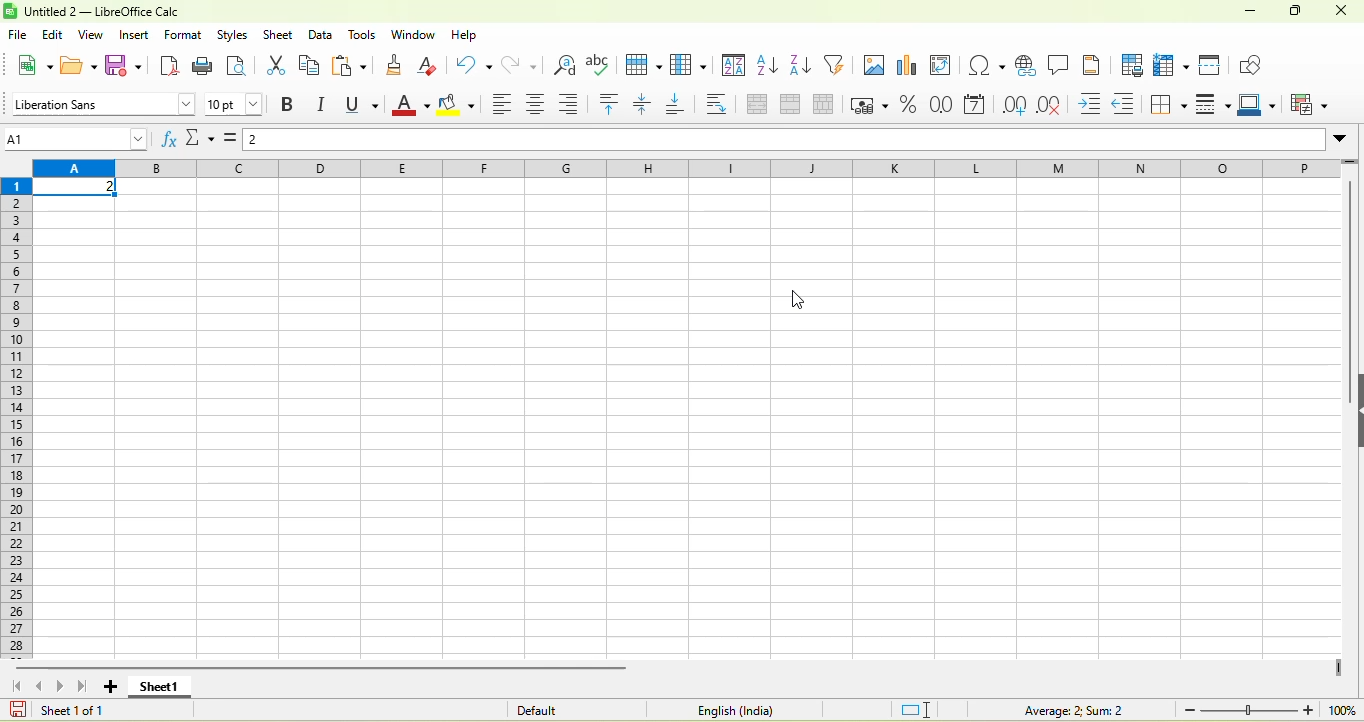 This screenshot has height=722, width=1364. What do you see at coordinates (1347, 140) in the screenshot?
I see `expand formula bar` at bounding box center [1347, 140].